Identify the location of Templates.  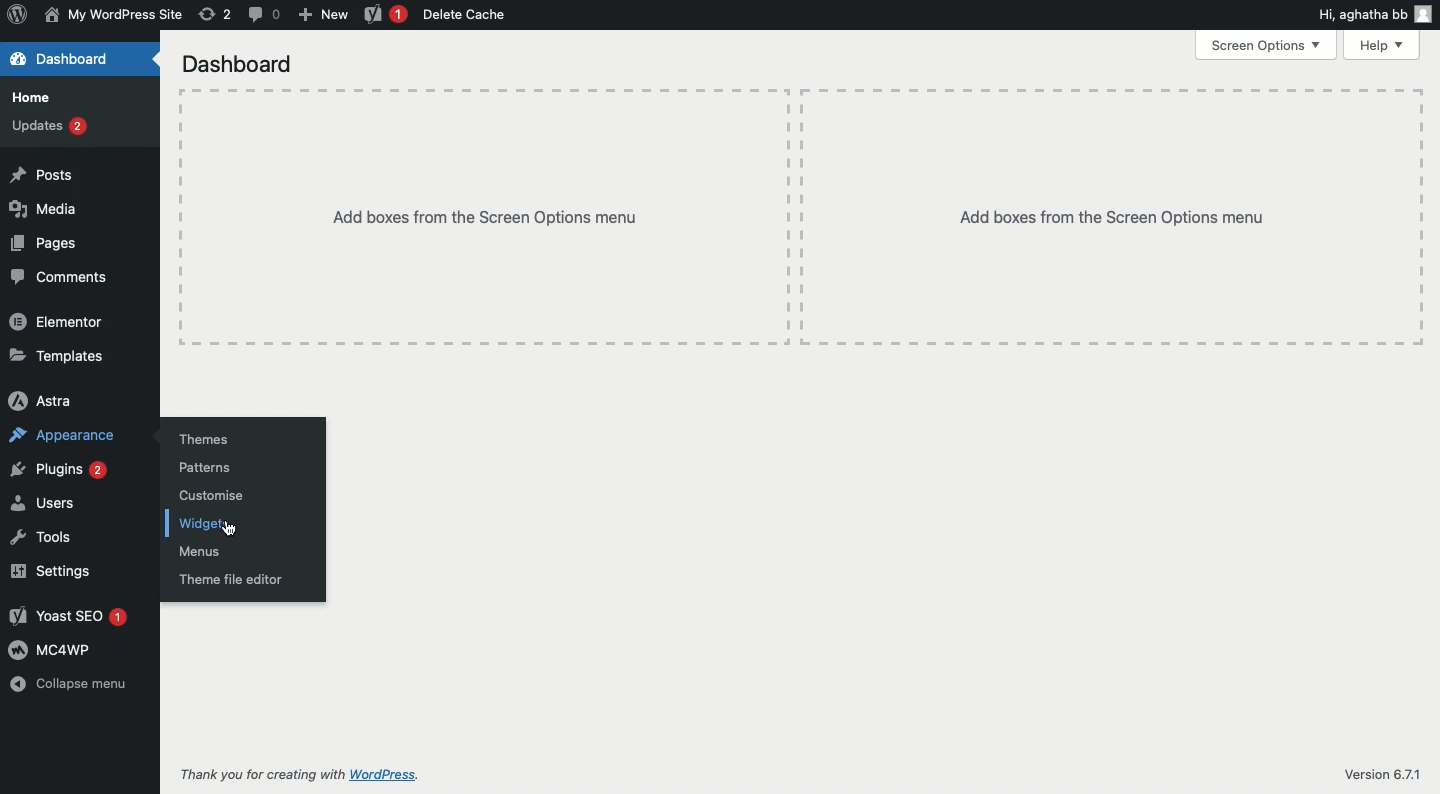
(62, 355).